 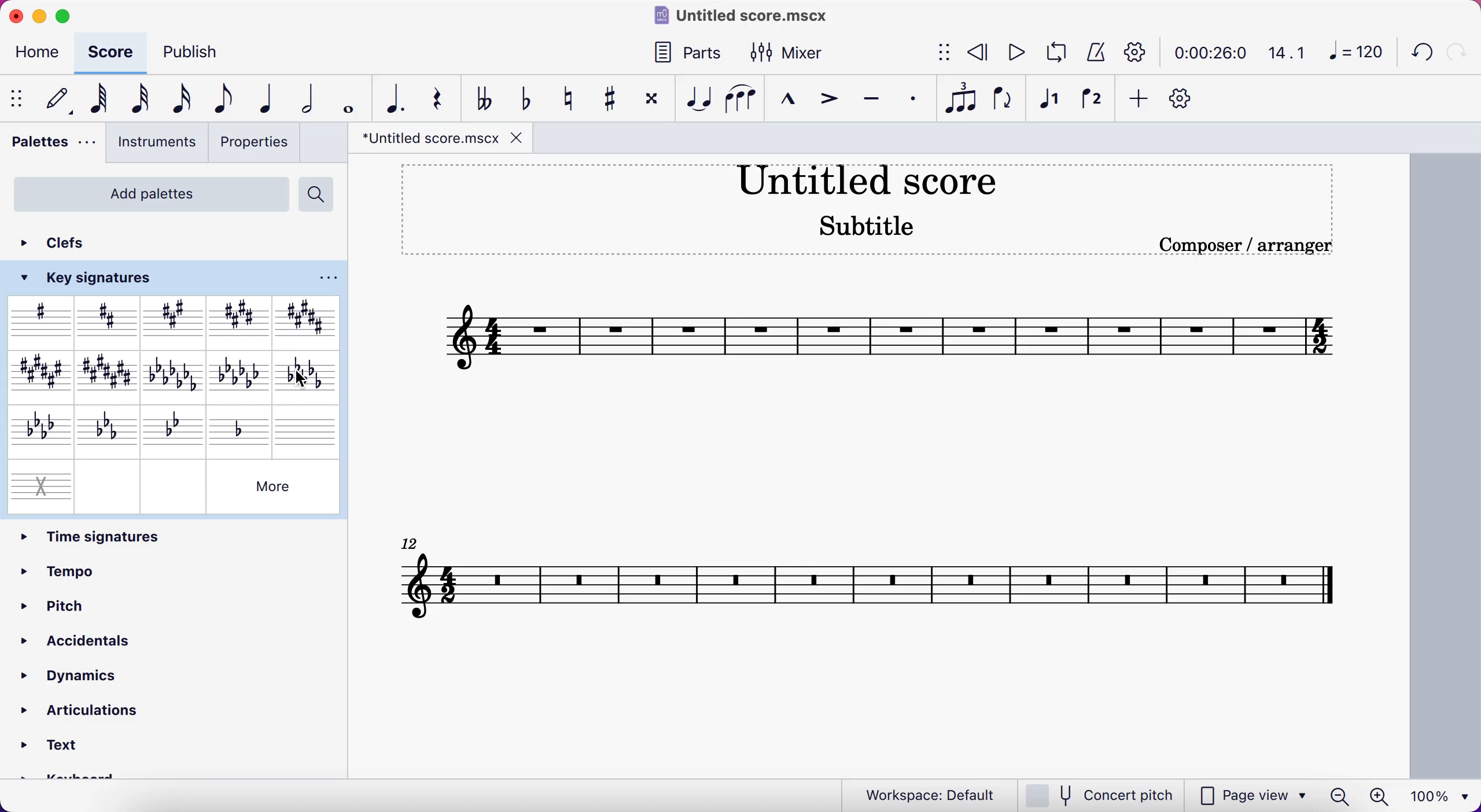 What do you see at coordinates (1442, 796) in the screenshot?
I see `100%` at bounding box center [1442, 796].